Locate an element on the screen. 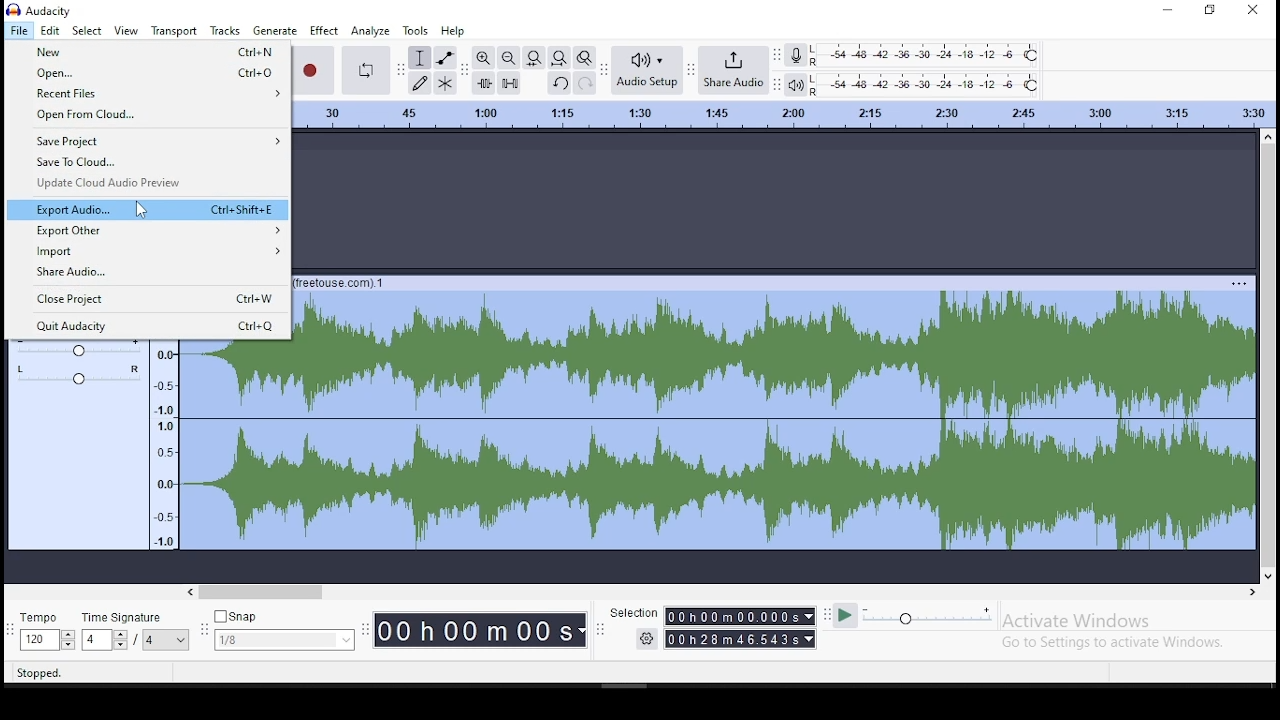 The width and height of the screenshot is (1280, 720). share audio is located at coordinates (150, 274).